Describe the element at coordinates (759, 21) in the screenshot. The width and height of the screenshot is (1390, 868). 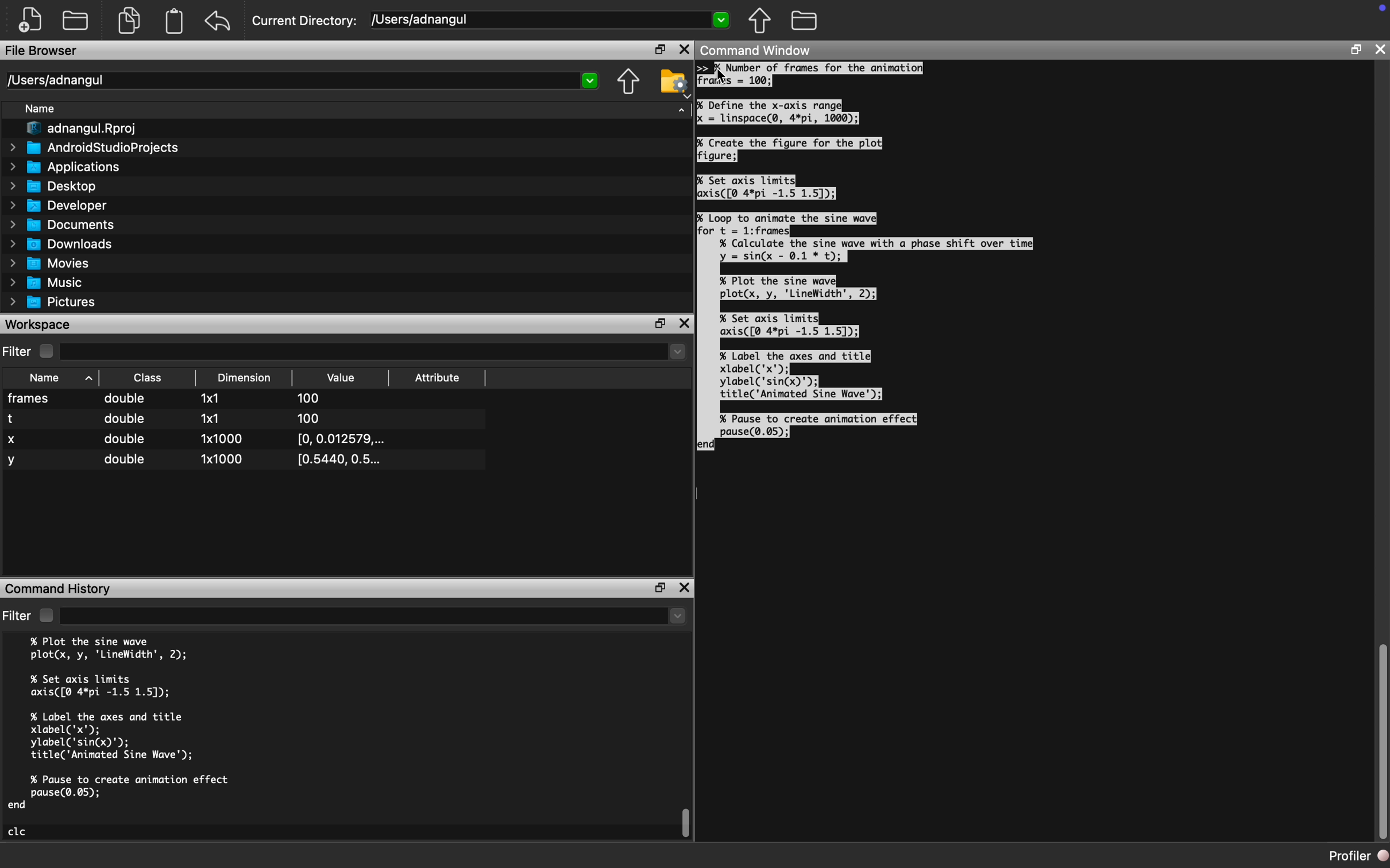
I see `Parent Directory` at that location.